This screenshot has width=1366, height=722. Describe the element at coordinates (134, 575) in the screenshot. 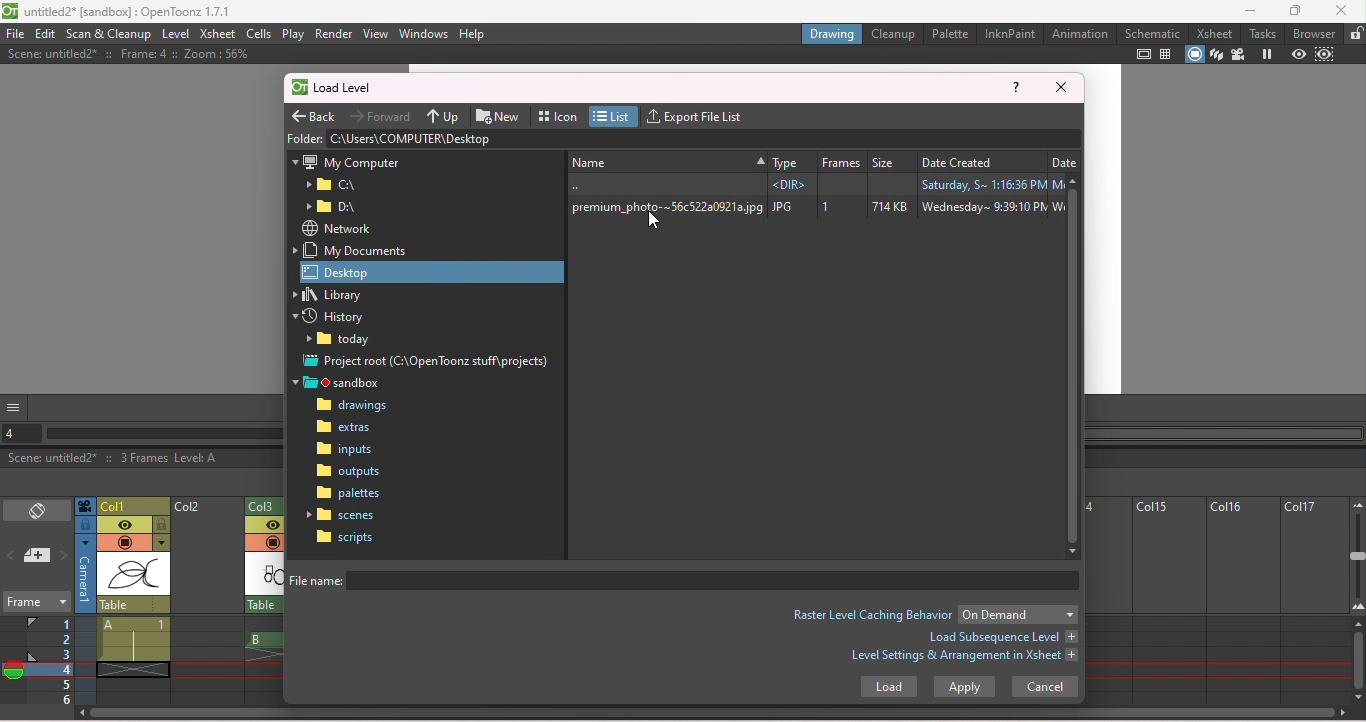

I see `scene` at that location.